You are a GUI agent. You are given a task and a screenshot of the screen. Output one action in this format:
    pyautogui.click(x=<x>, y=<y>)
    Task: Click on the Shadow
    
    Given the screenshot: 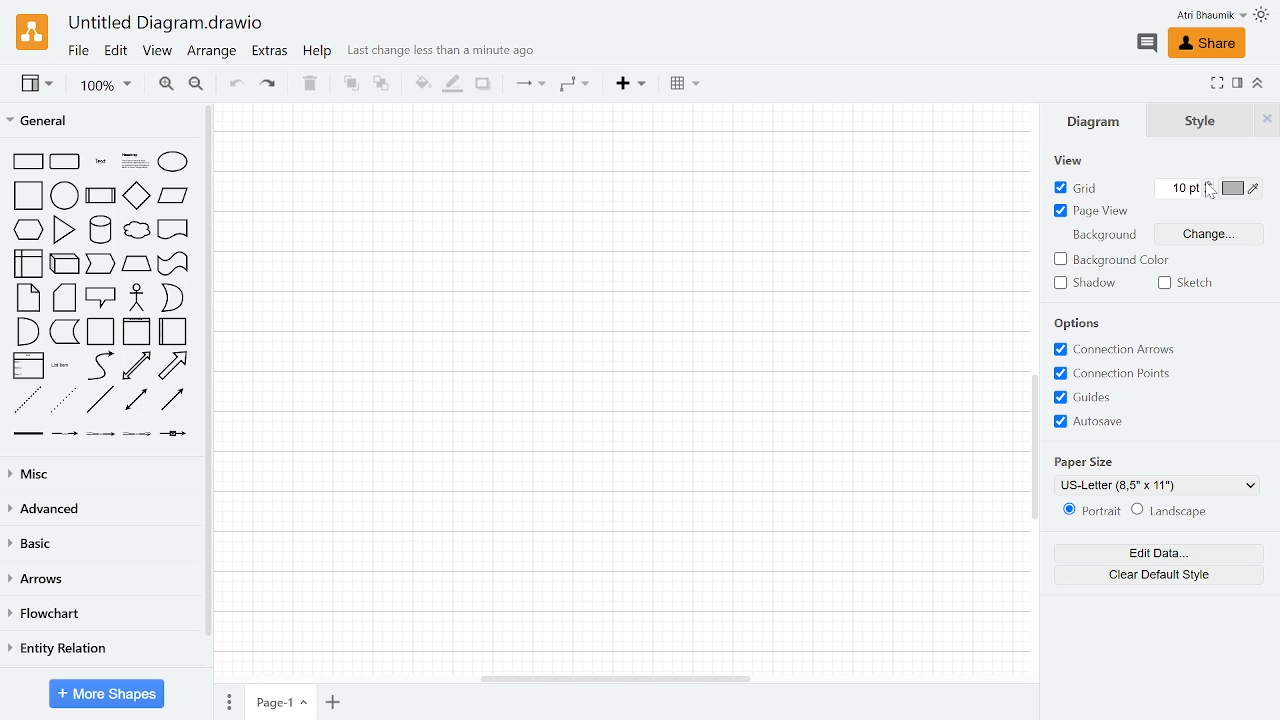 What is the action you would take?
    pyautogui.click(x=484, y=85)
    